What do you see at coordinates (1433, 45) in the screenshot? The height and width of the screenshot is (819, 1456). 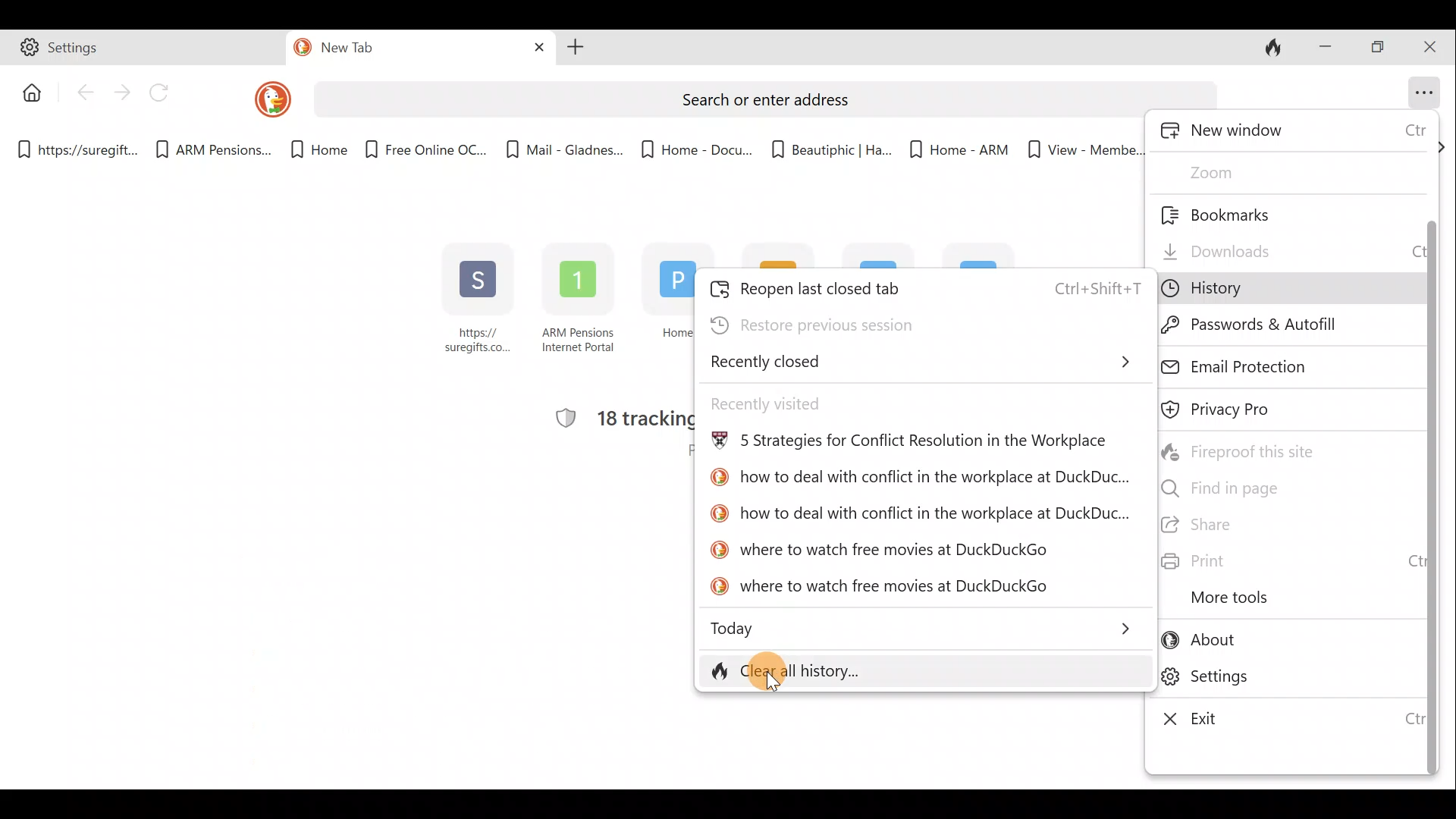 I see `Close` at bounding box center [1433, 45].